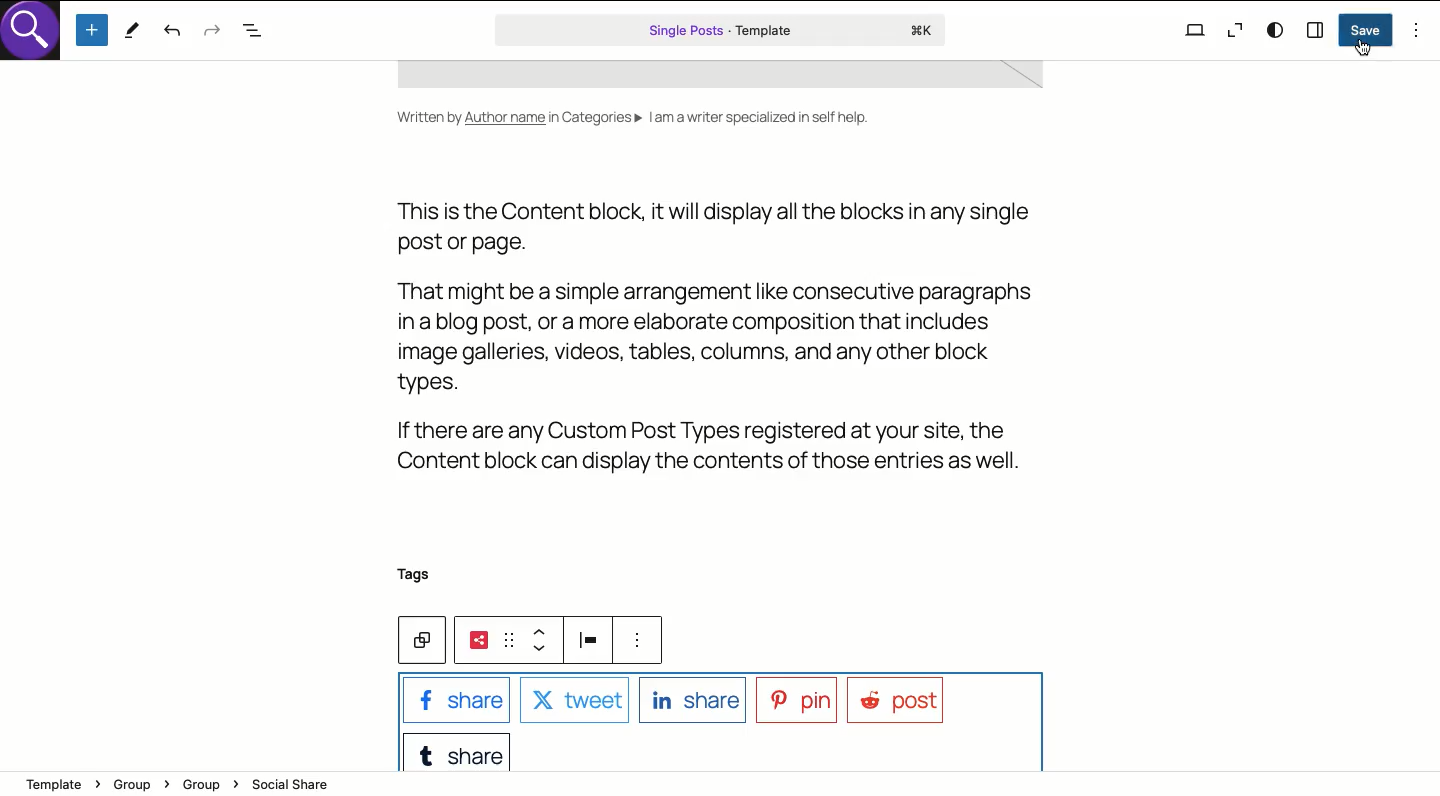  Describe the element at coordinates (36, 36) in the screenshot. I see `logo` at that location.